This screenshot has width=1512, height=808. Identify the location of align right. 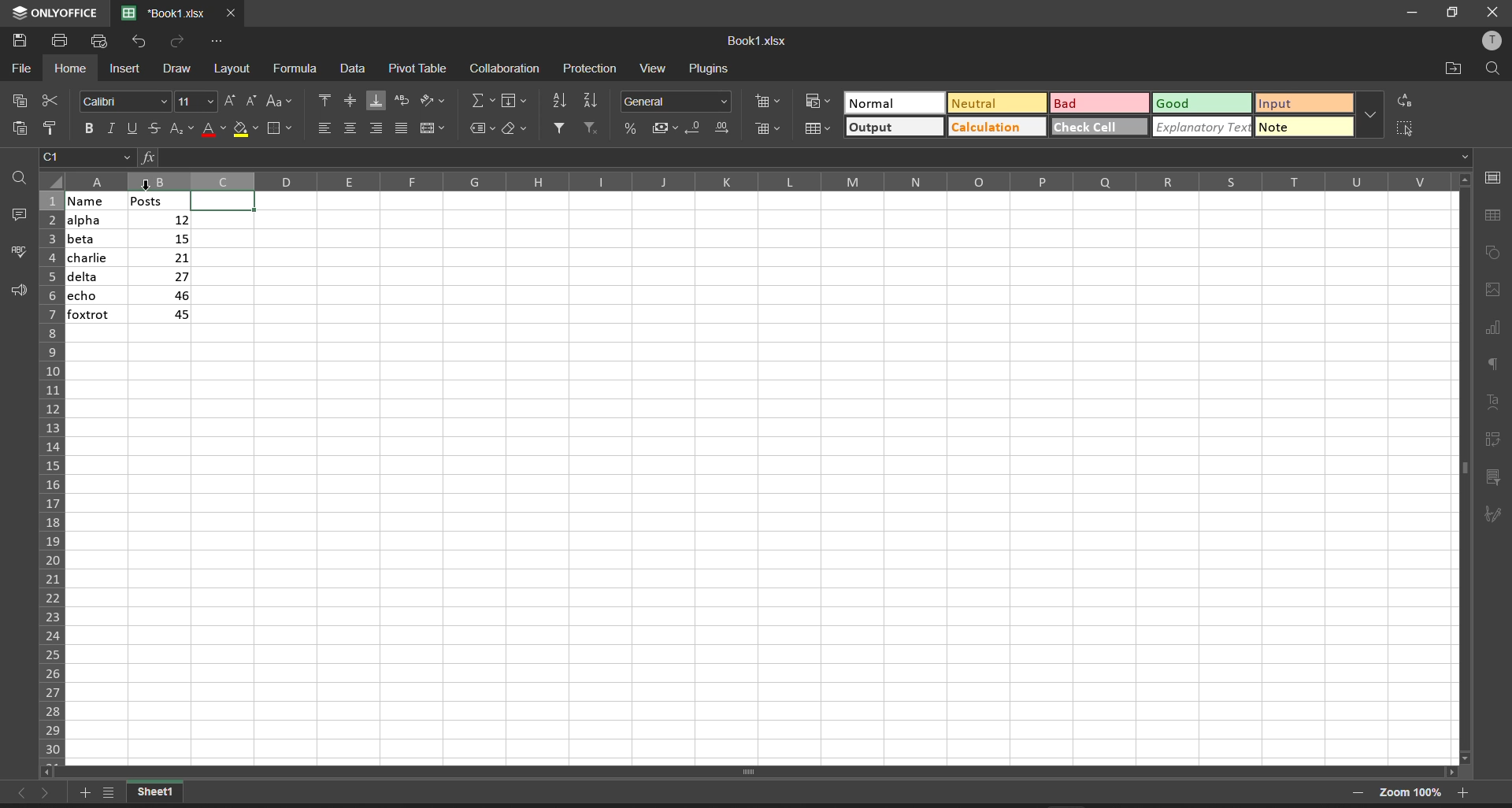
(377, 129).